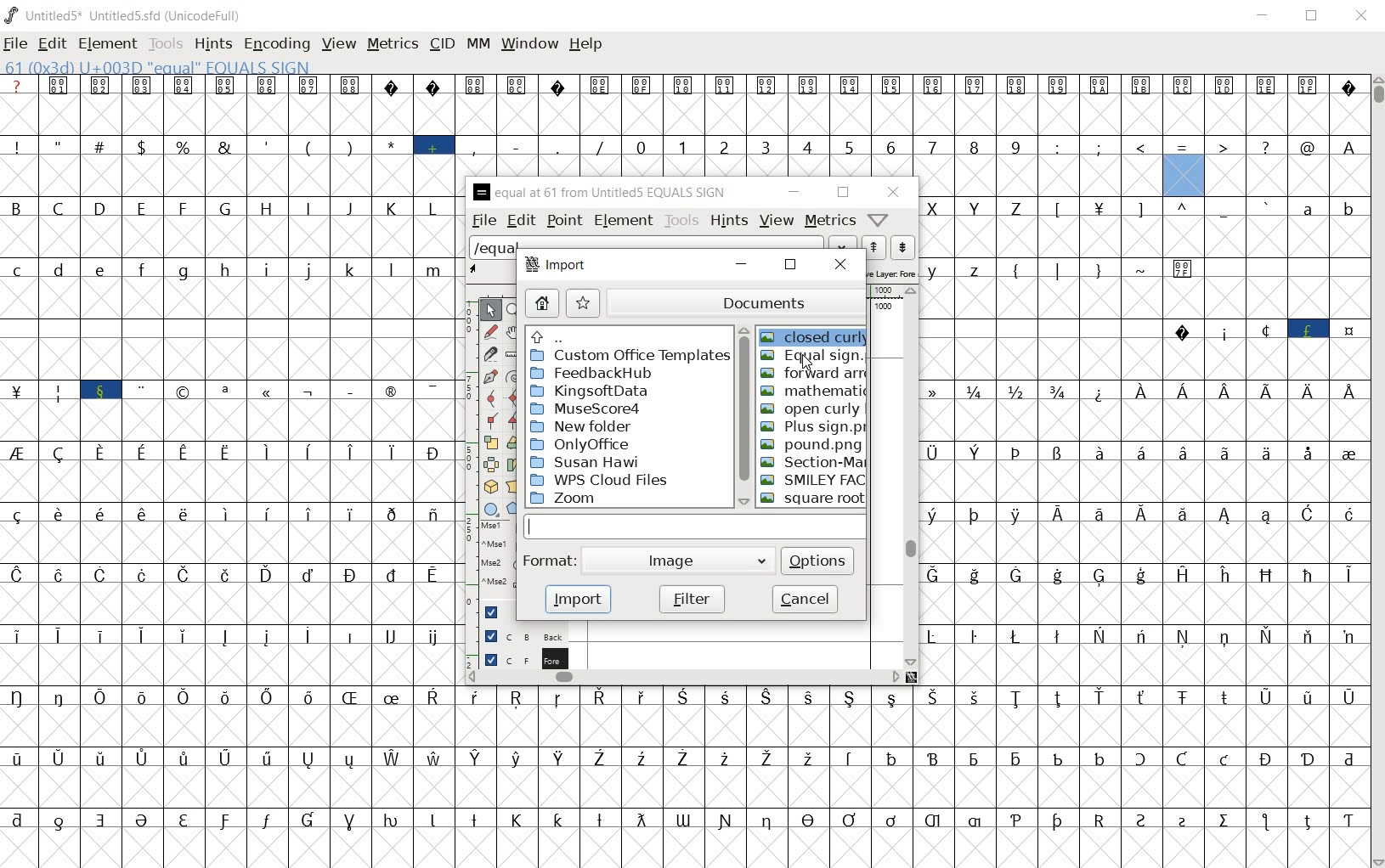 This screenshot has height=868, width=1385. I want to click on scroll by hand, so click(513, 332).